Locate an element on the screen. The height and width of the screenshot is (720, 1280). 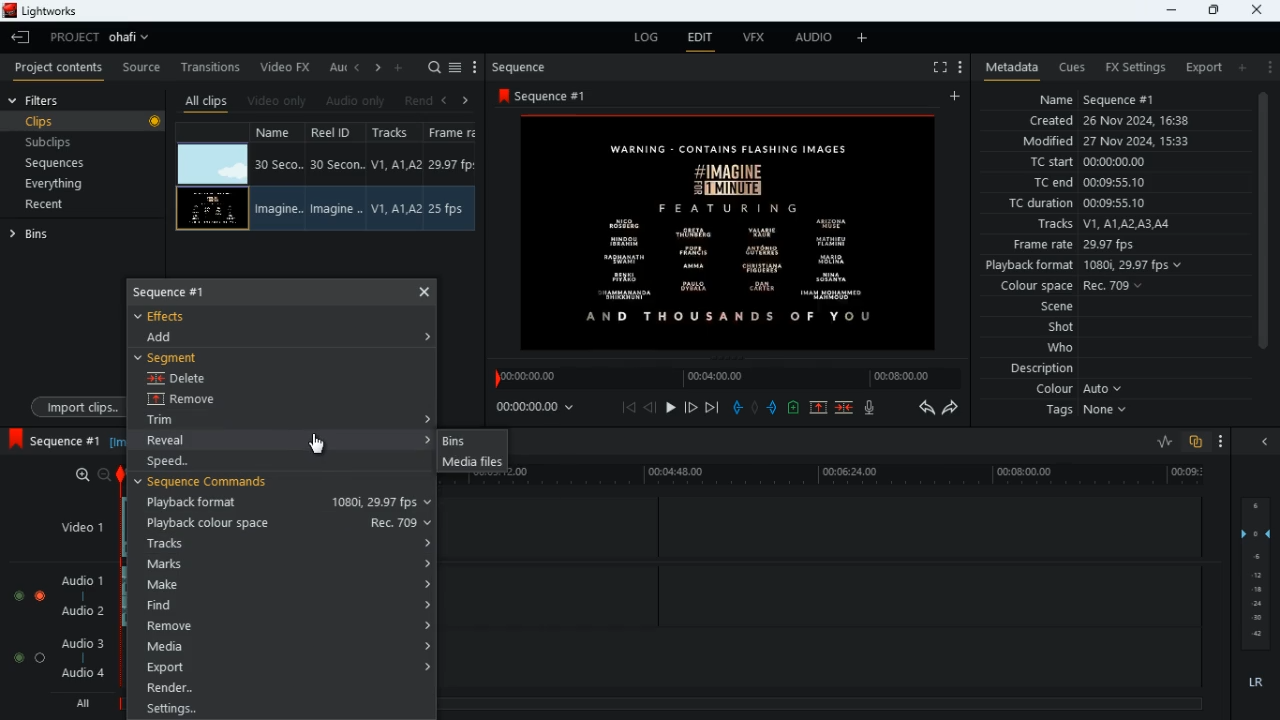
up is located at coordinates (793, 409).